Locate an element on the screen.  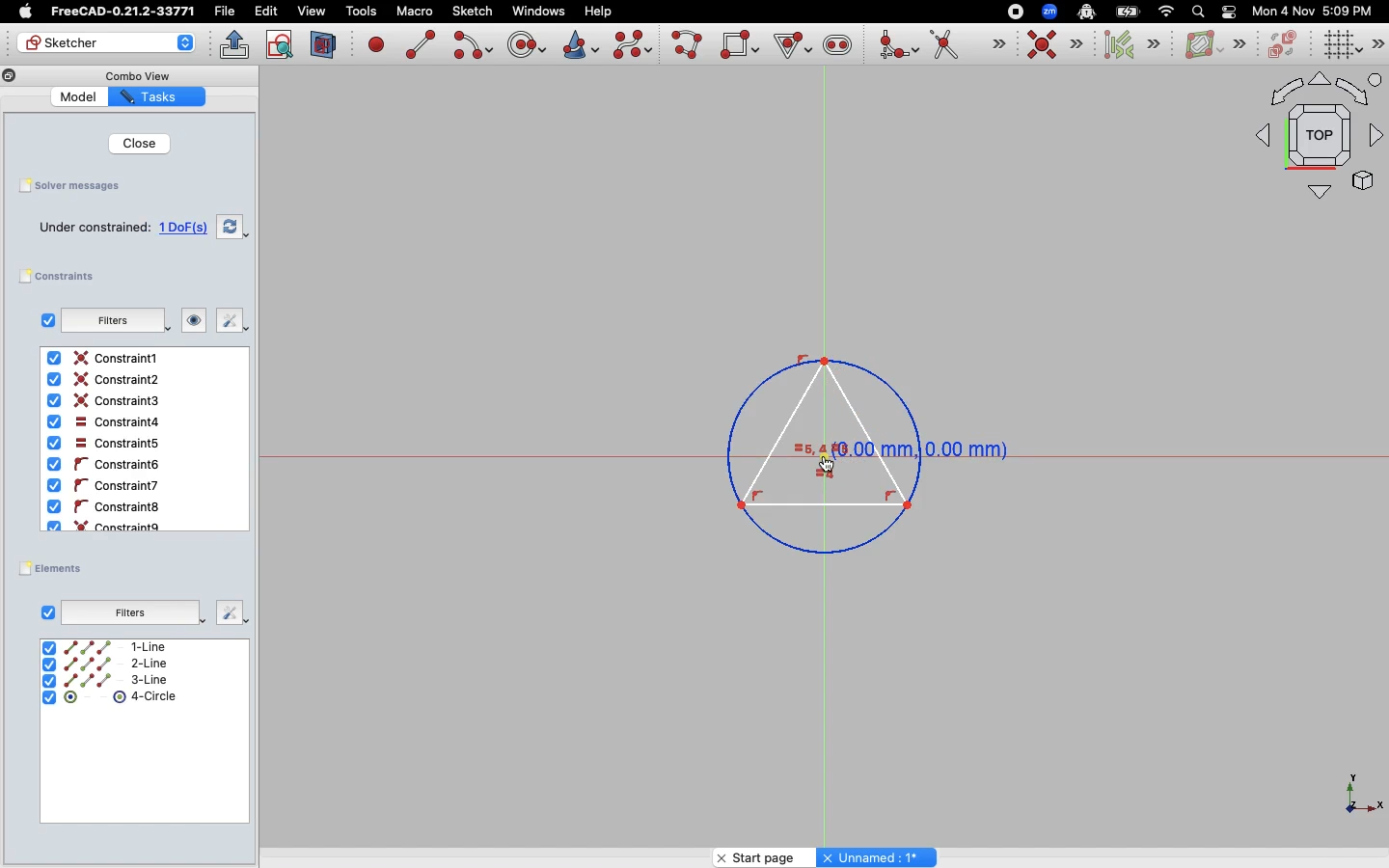
Edit is located at coordinates (266, 12).